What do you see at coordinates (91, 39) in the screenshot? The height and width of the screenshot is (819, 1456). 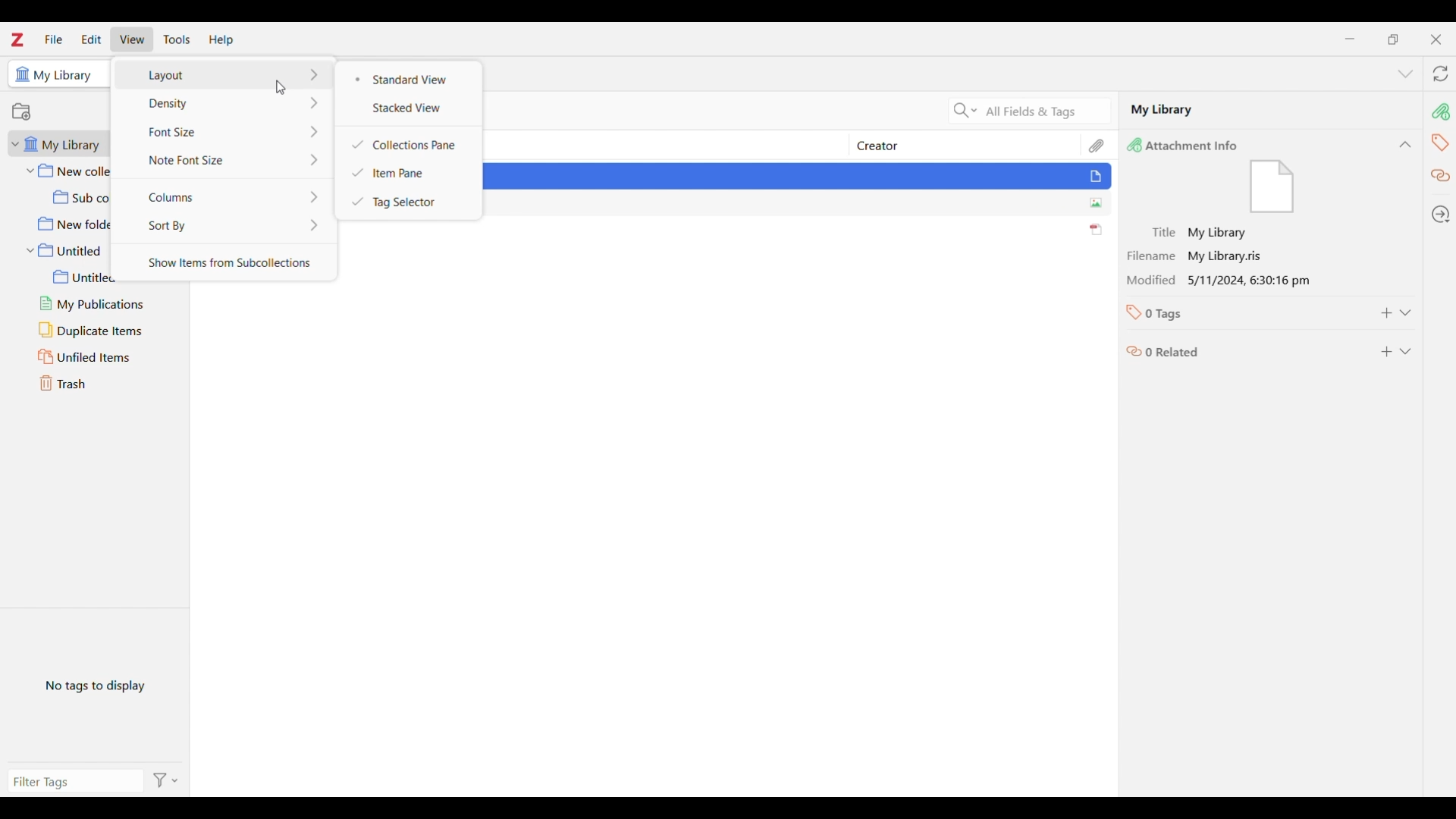 I see `Edit menu` at bounding box center [91, 39].